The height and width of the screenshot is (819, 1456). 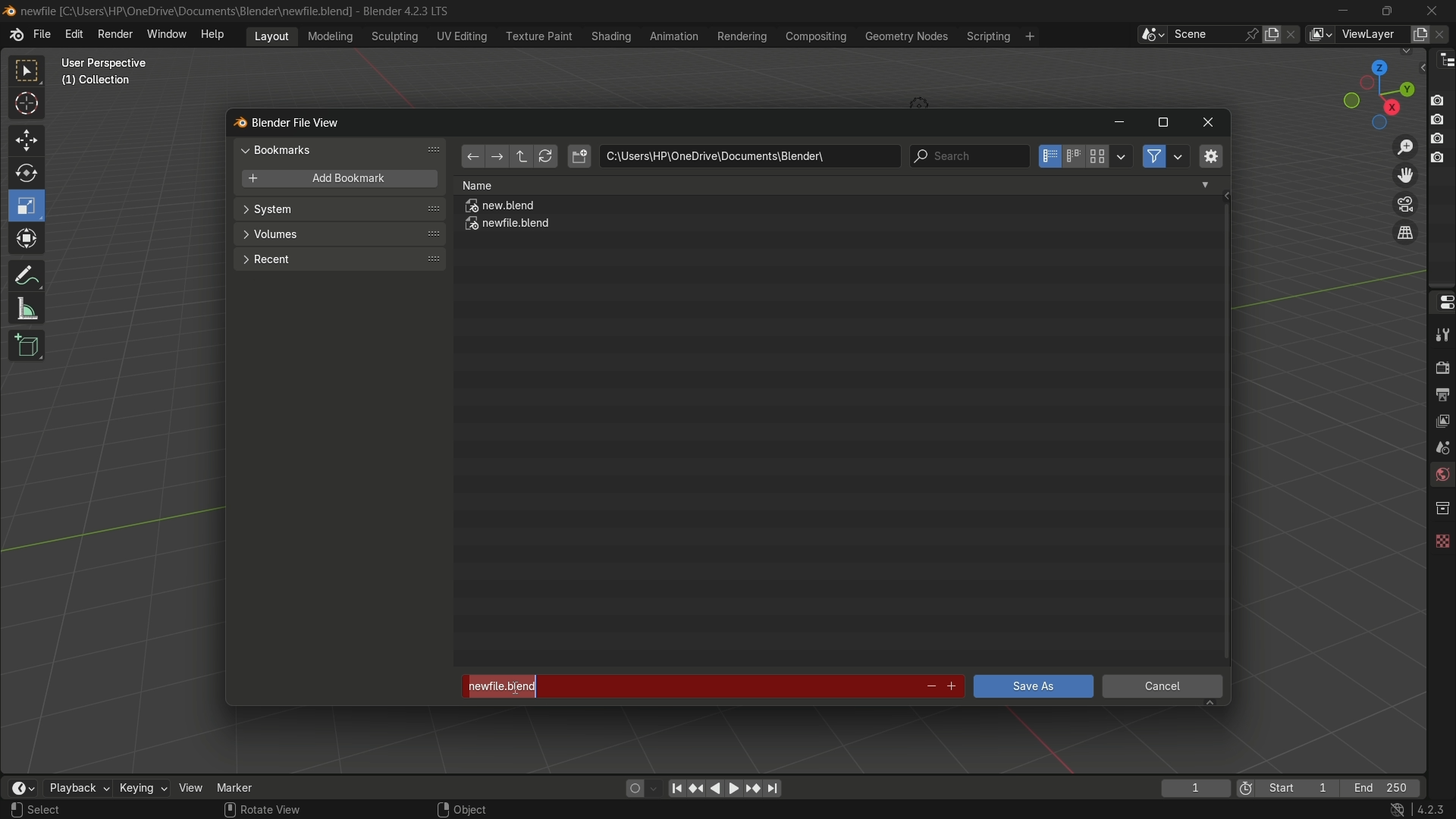 I want to click on Blend, so click(x=9, y=10).